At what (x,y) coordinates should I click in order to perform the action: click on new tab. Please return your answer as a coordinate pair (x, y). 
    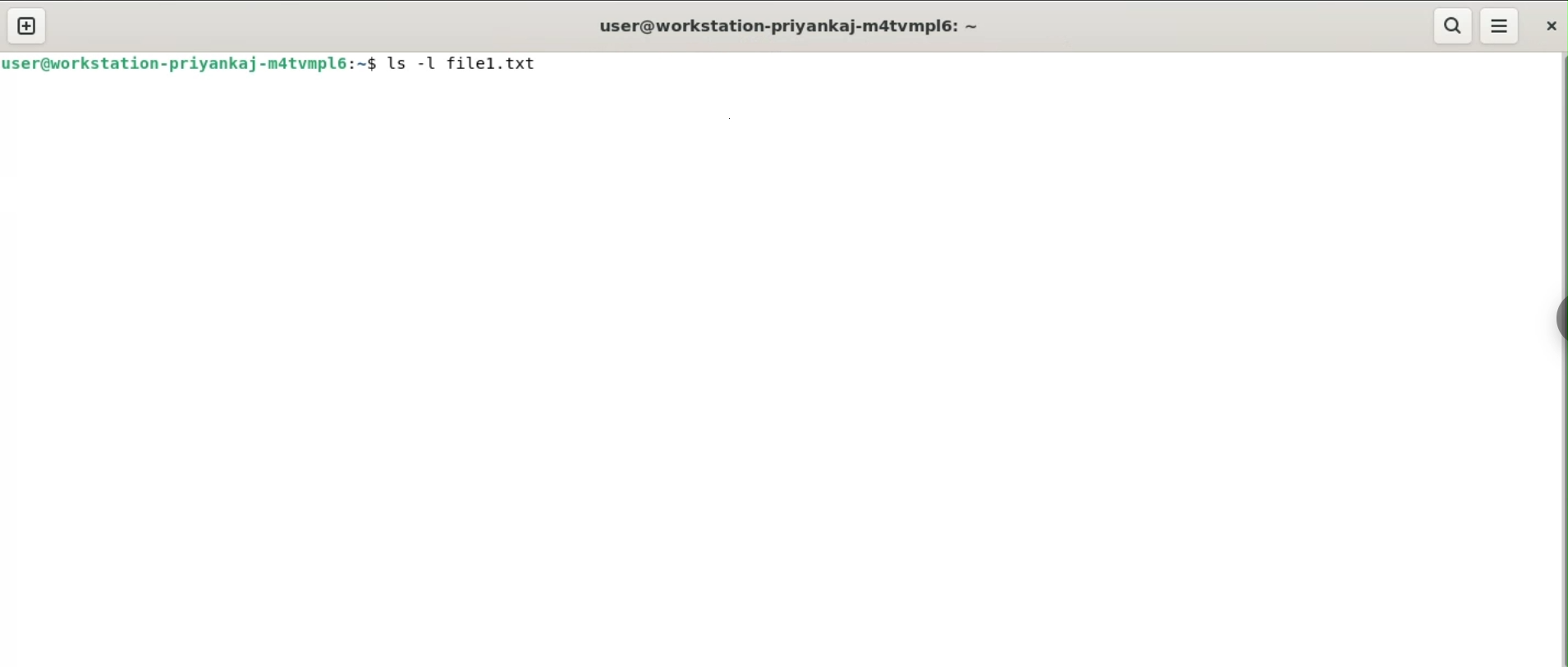
    Looking at the image, I should click on (25, 25).